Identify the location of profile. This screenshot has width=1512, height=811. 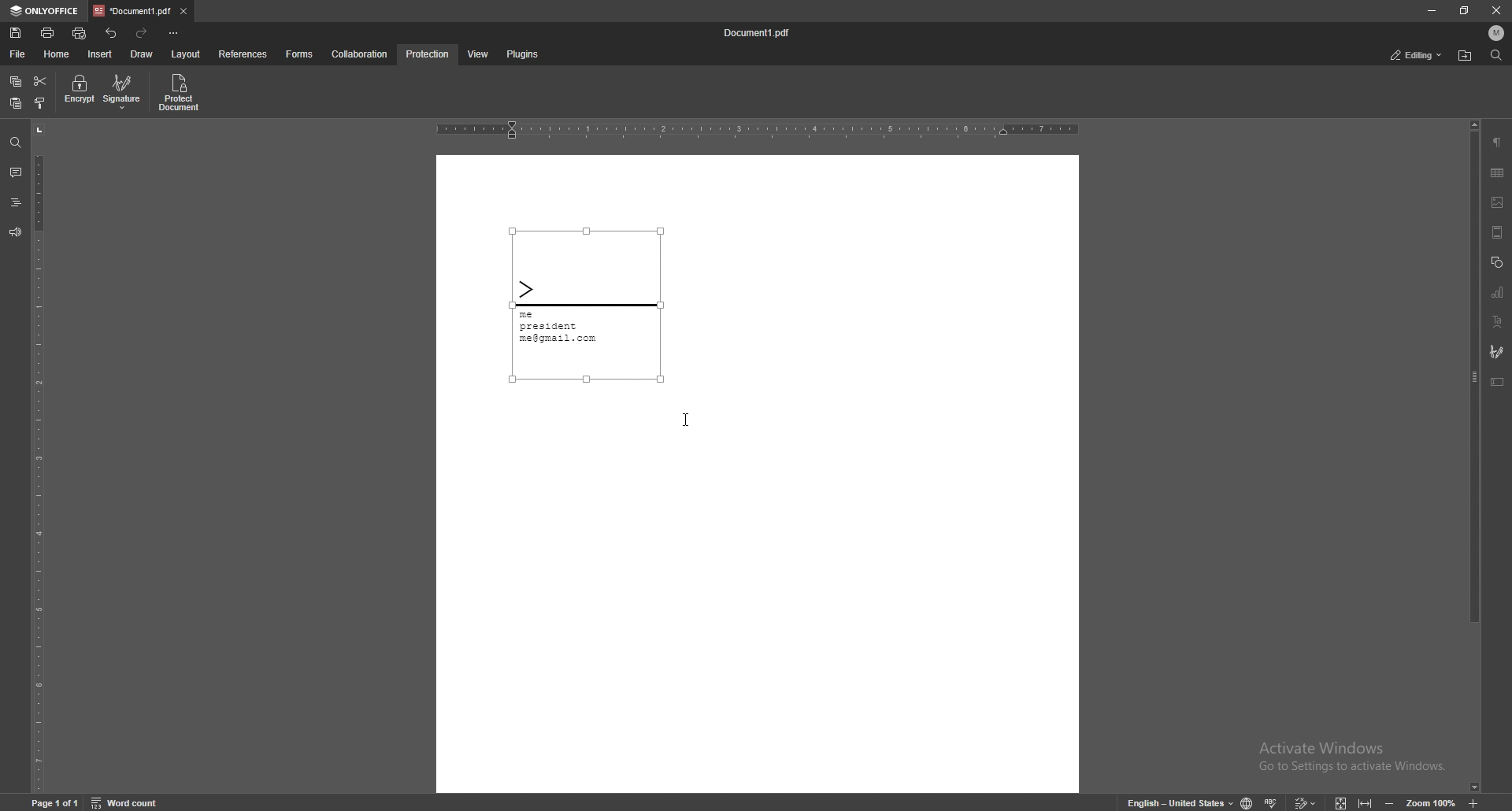
(1497, 33).